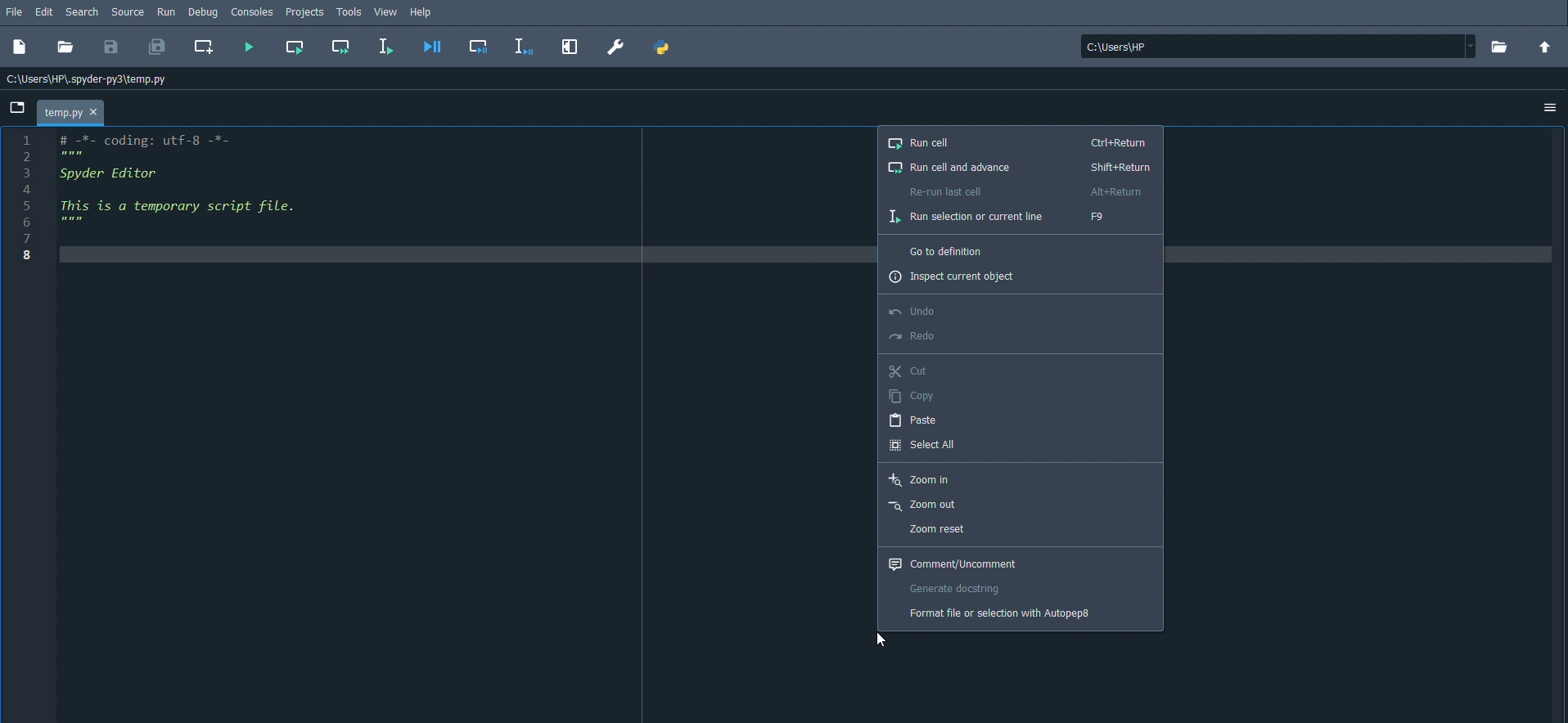 This screenshot has width=1568, height=723. I want to click on Run cell, so click(1021, 146).